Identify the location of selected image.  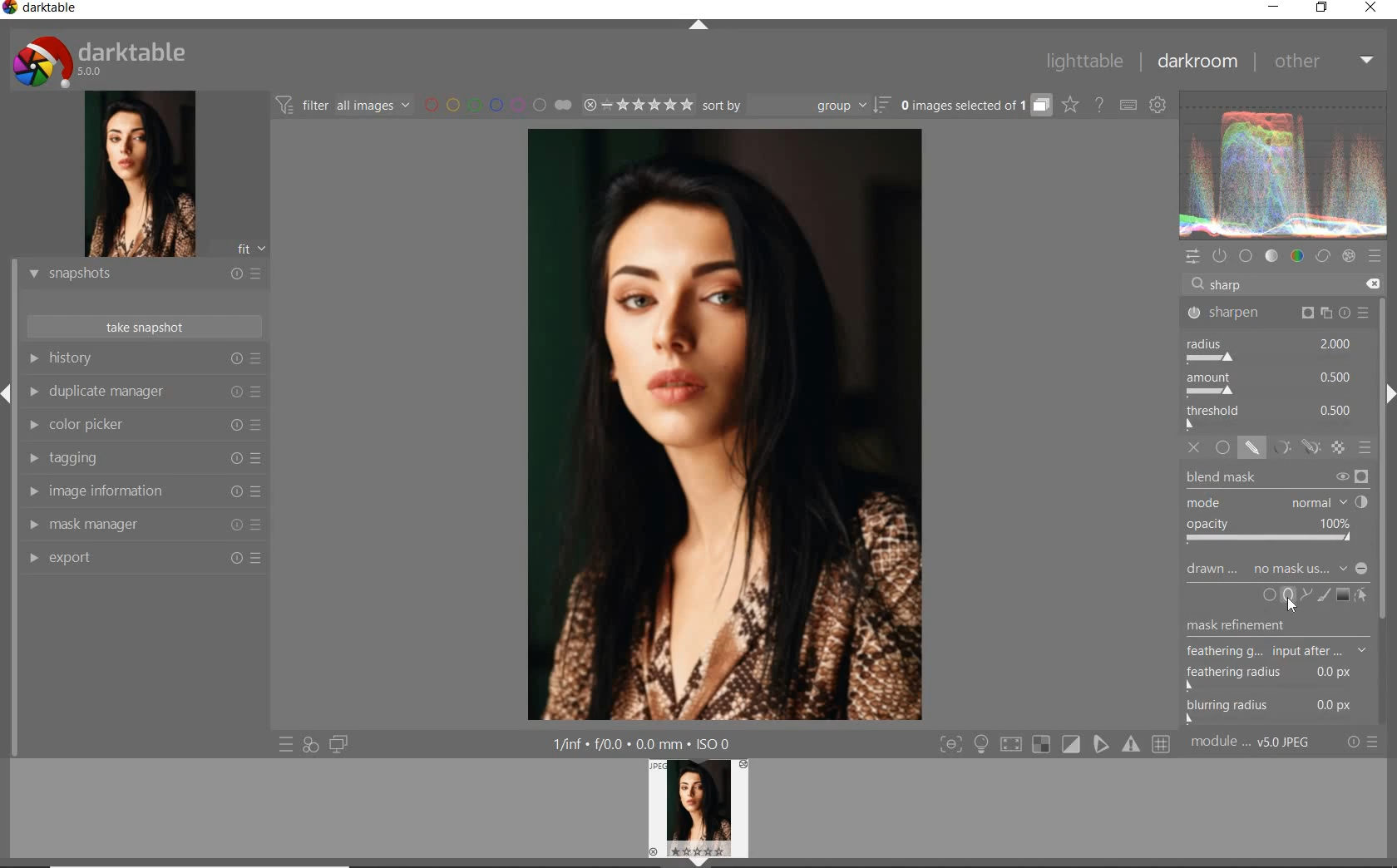
(725, 426).